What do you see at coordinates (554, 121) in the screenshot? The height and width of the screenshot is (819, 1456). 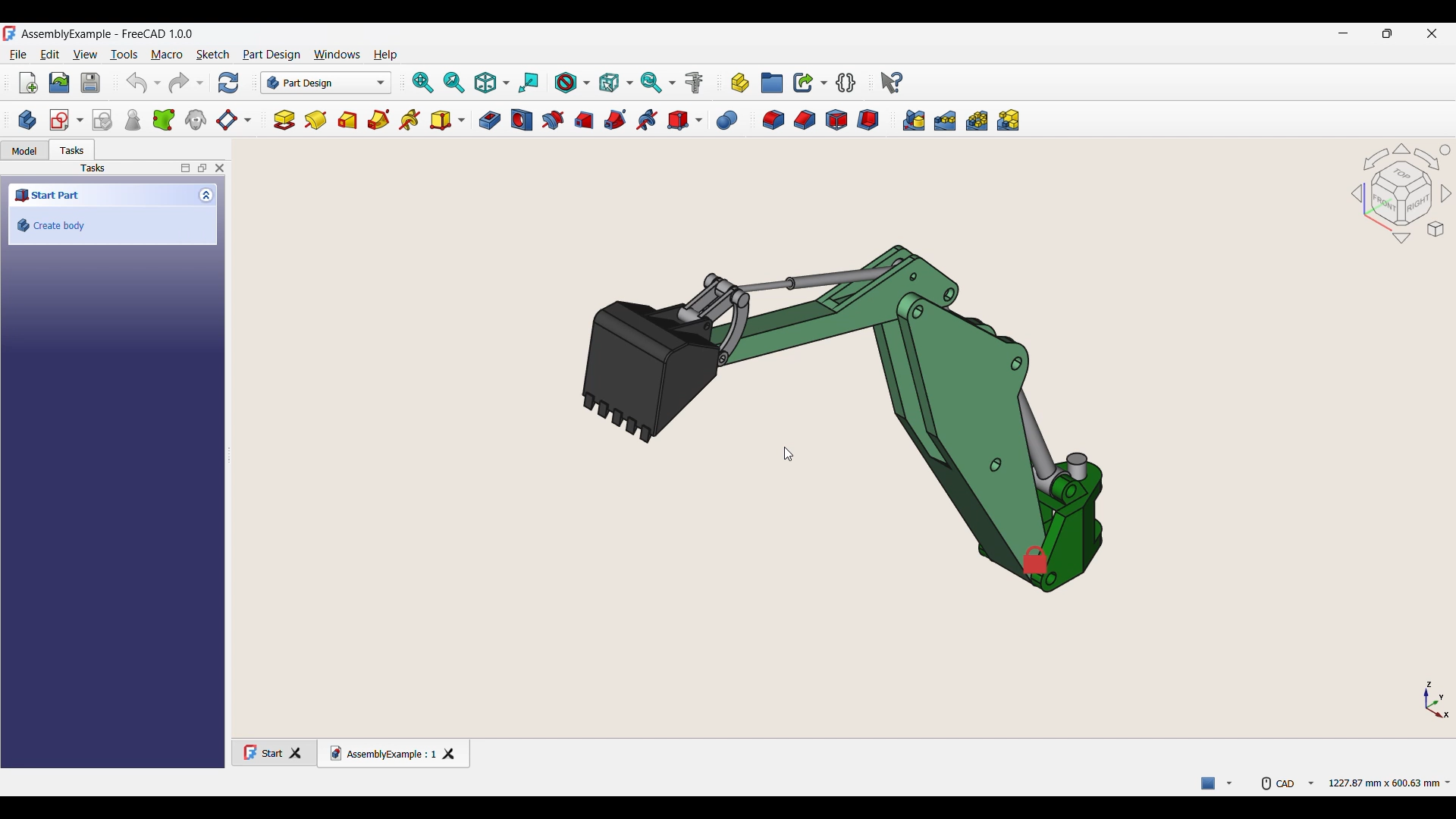 I see `Groove` at bounding box center [554, 121].